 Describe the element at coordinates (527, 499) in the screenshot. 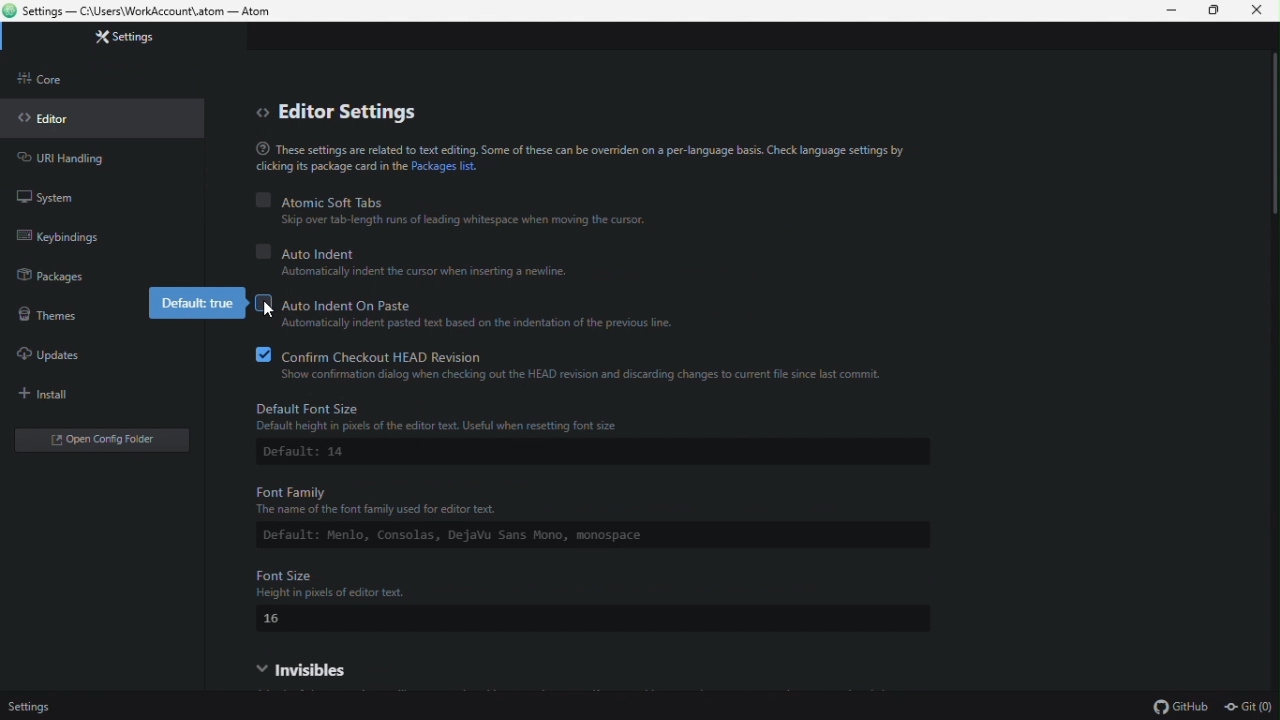

I see `Font Family
The name of the font family used for editor text` at that location.